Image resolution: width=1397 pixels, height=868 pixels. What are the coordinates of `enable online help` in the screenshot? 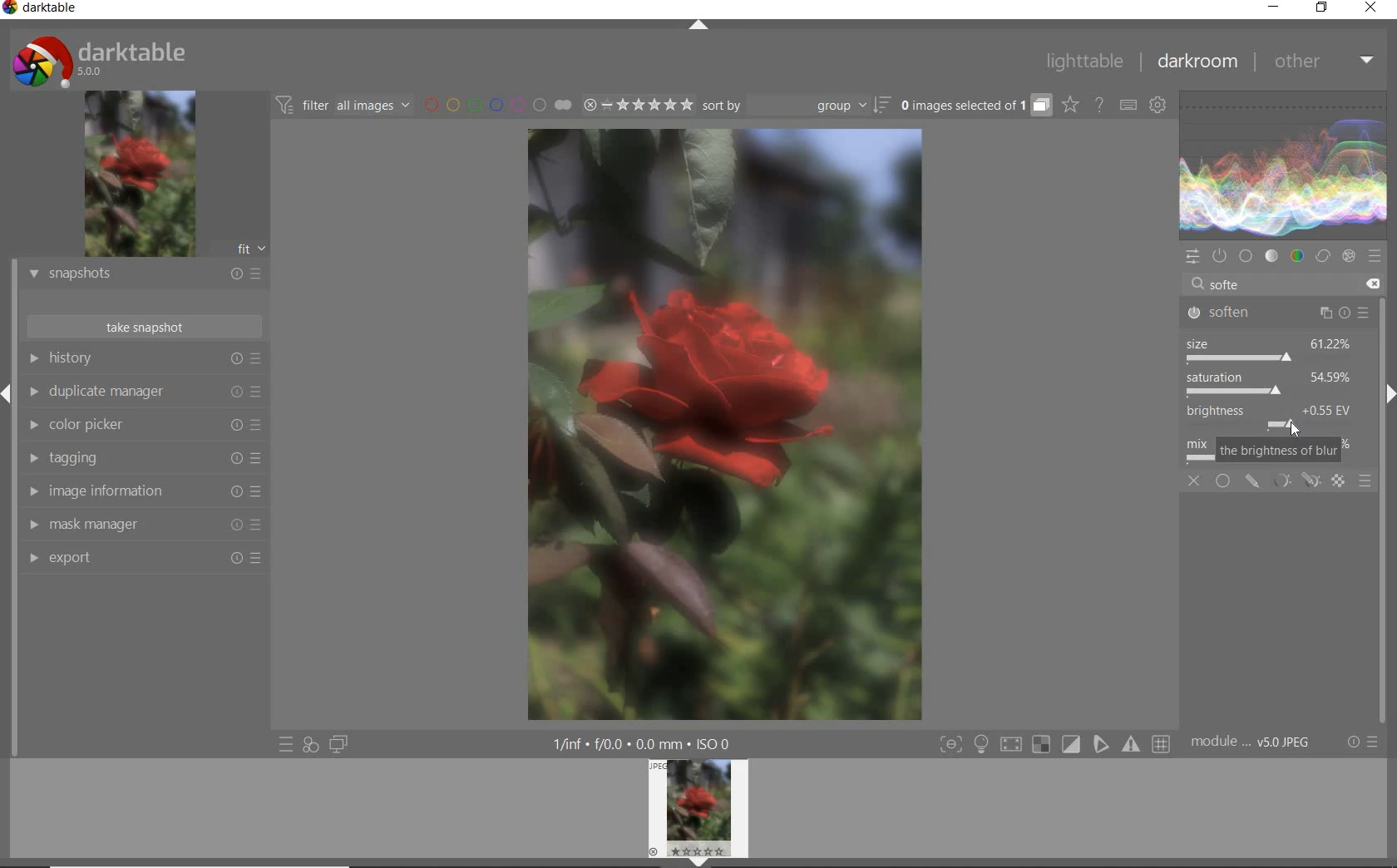 It's located at (1100, 105).